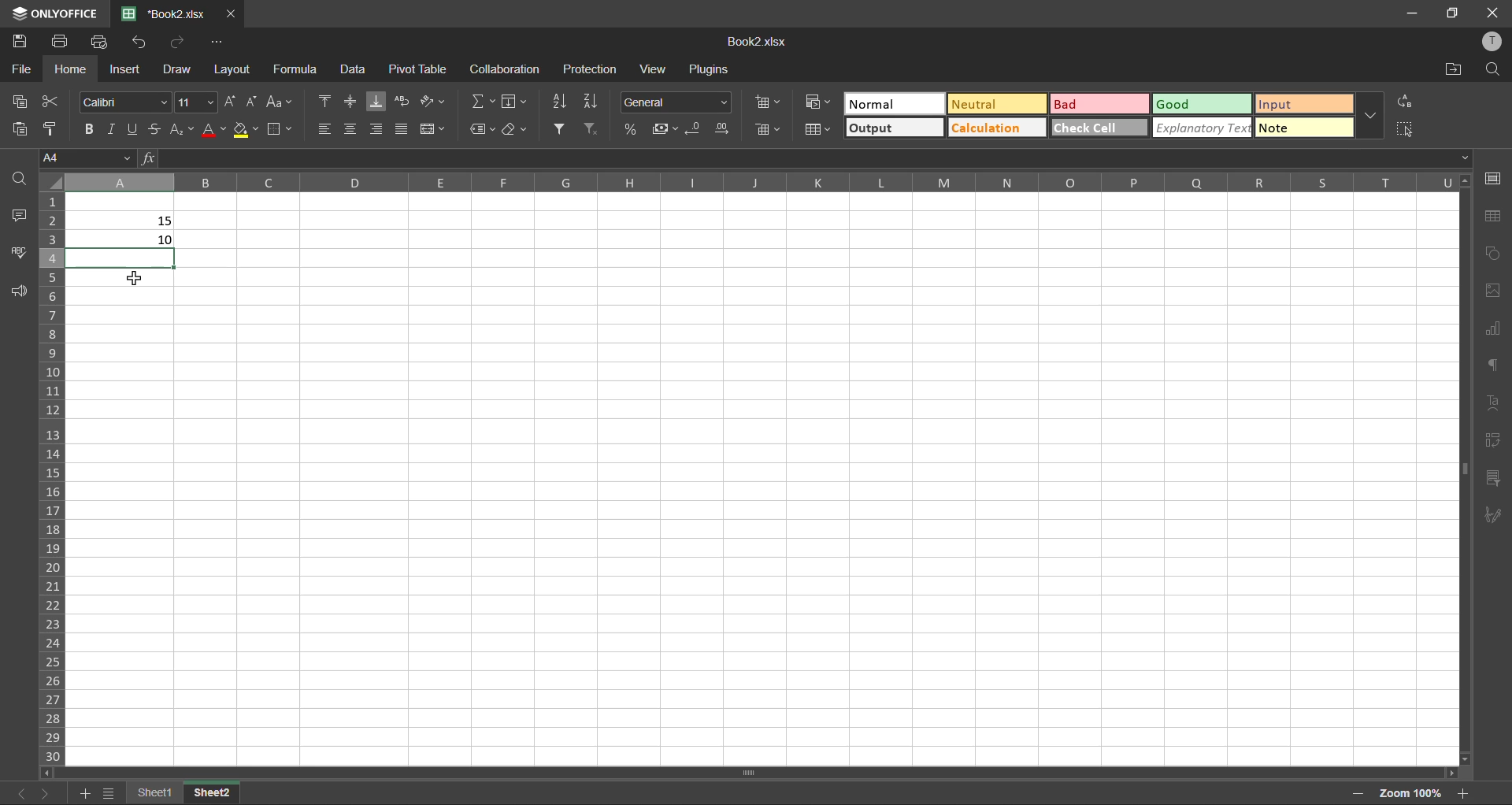 The image size is (1512, 805). Describe the element at coordinates (1374, 117) in the screenshot. I see `more options` at that location.